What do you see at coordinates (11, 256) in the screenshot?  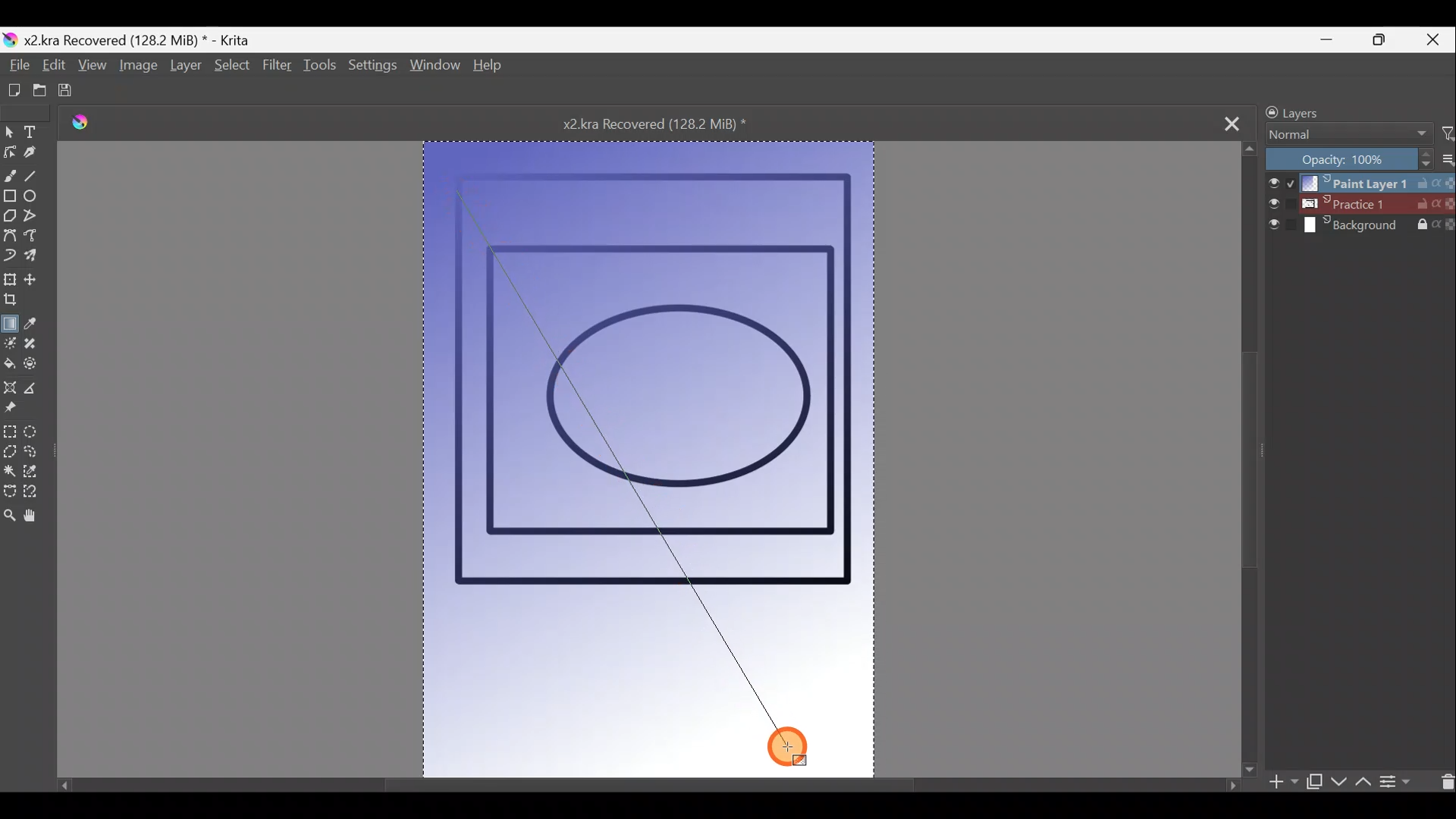 I see `Dynamic brush tool` at bounding box center [11, 256].